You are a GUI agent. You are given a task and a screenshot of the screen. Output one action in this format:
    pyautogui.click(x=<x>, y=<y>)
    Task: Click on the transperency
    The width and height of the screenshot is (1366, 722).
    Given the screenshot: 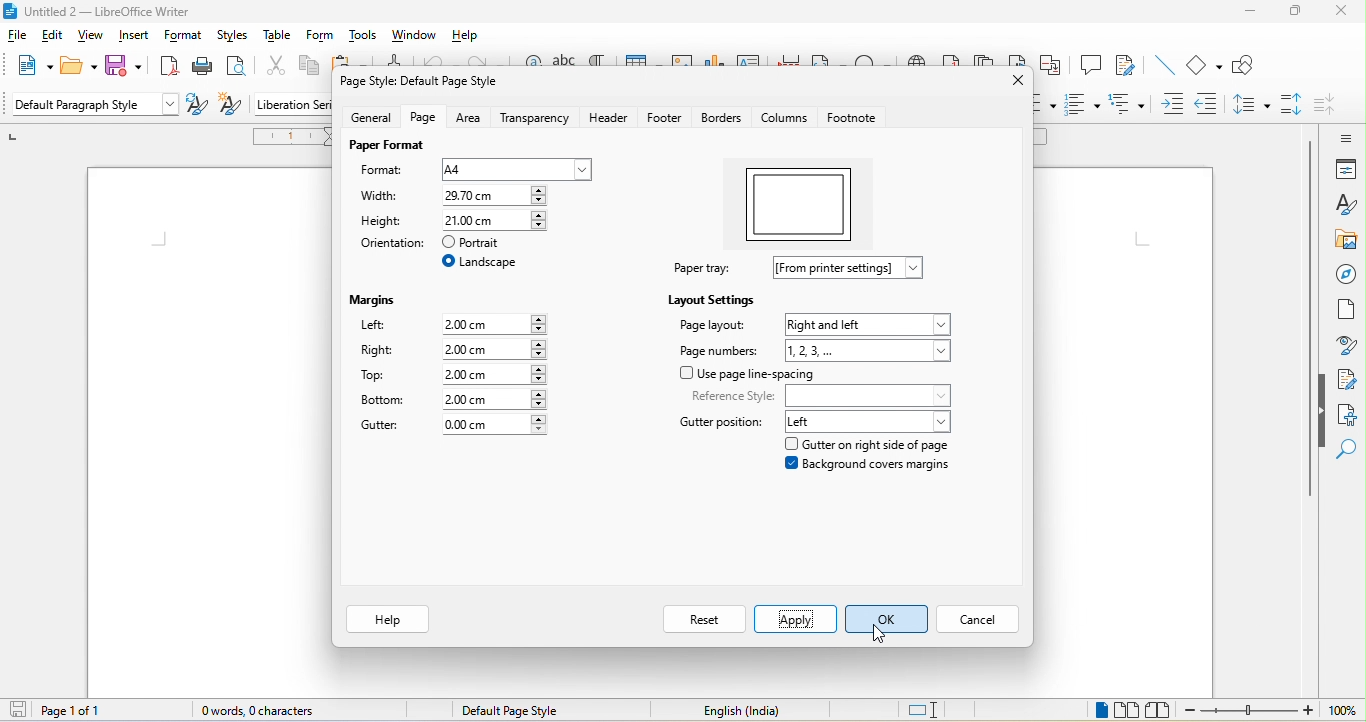 What is the action you would take?
    pyautogui.click(x=538, y=118)
    